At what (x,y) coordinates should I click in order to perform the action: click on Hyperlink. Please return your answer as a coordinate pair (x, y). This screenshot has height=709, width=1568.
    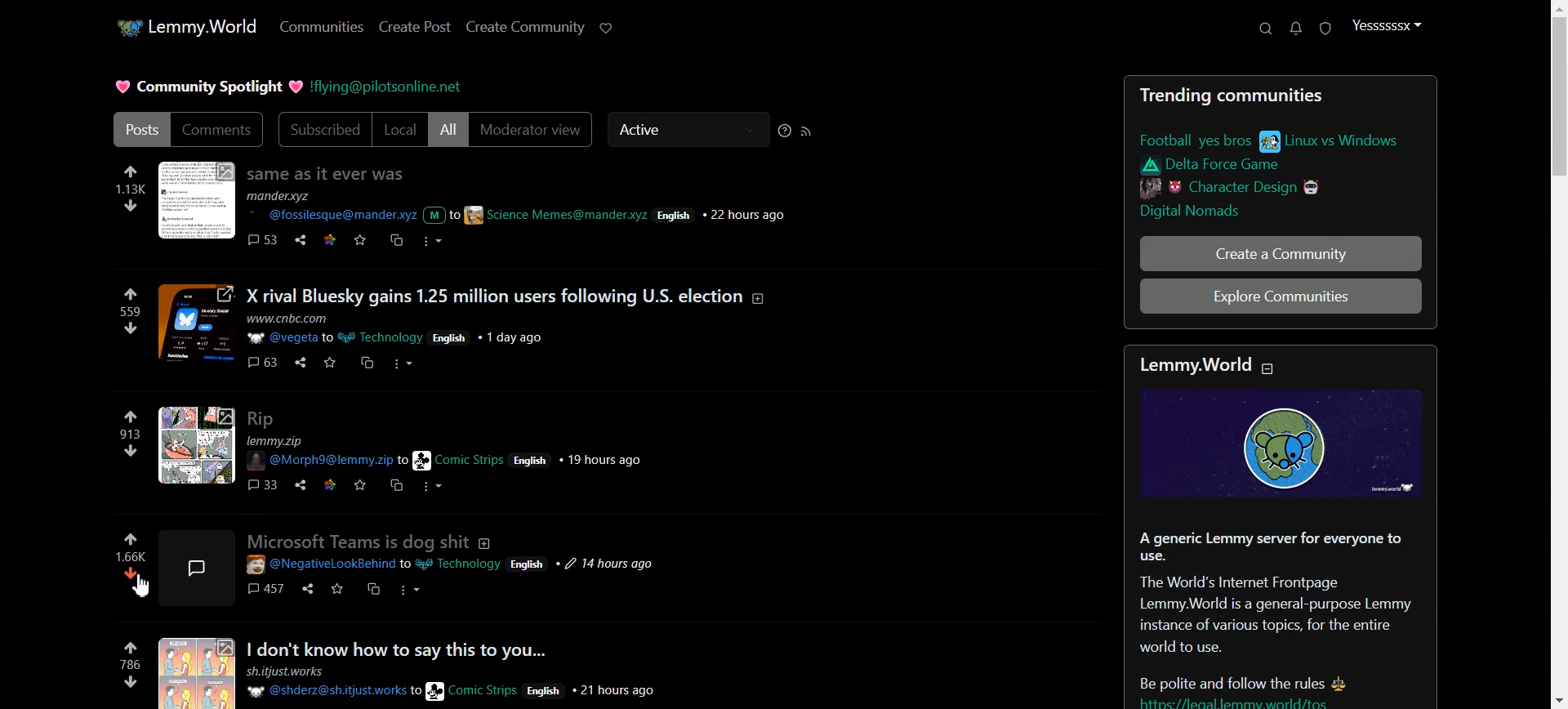
    Looking at the image, I should click on (389, 88).